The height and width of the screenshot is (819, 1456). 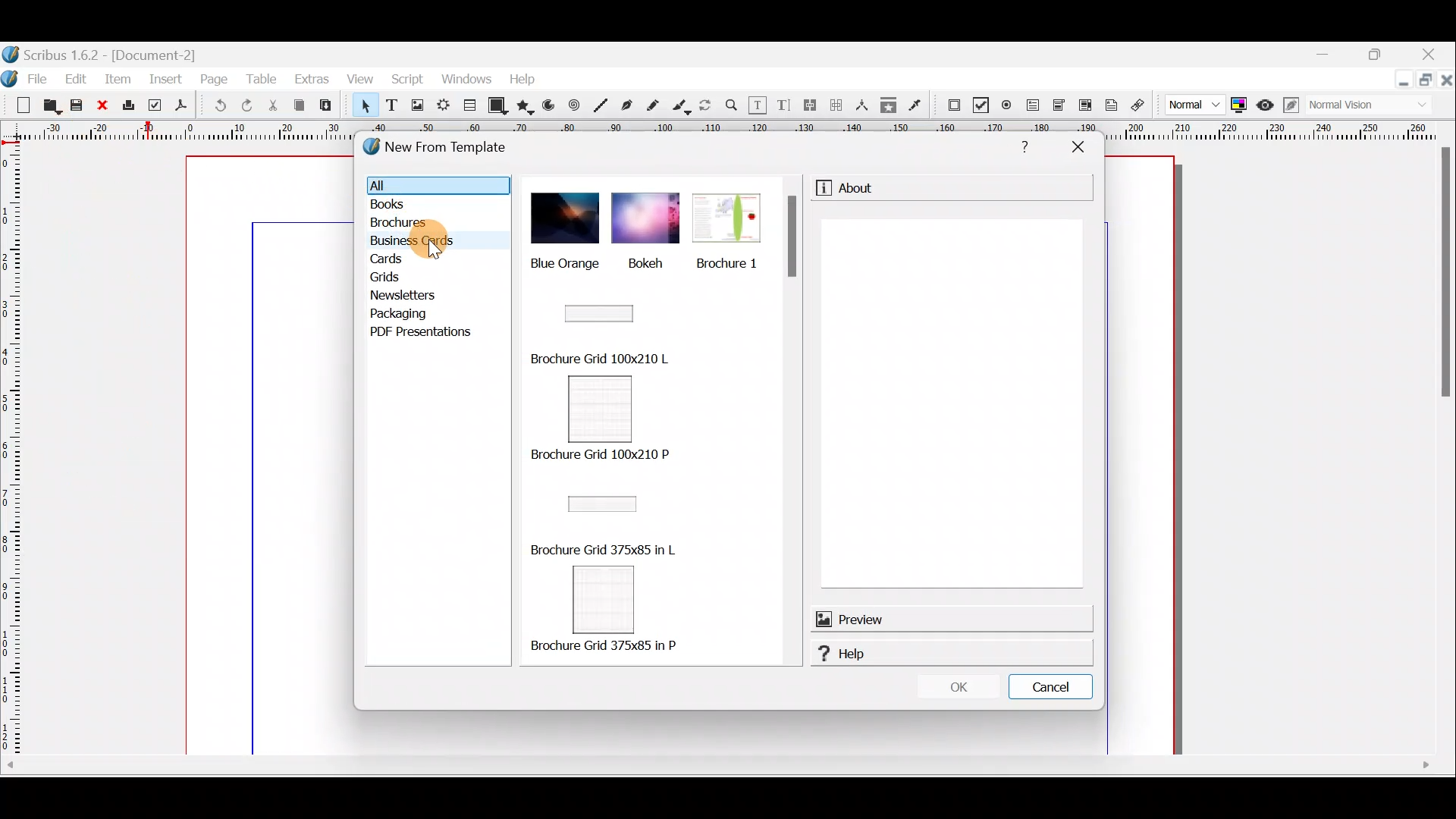 What do you see at coordinates (645, 266) in the screenshot?
I see `Bokeh` at bounding box center [645, 266].